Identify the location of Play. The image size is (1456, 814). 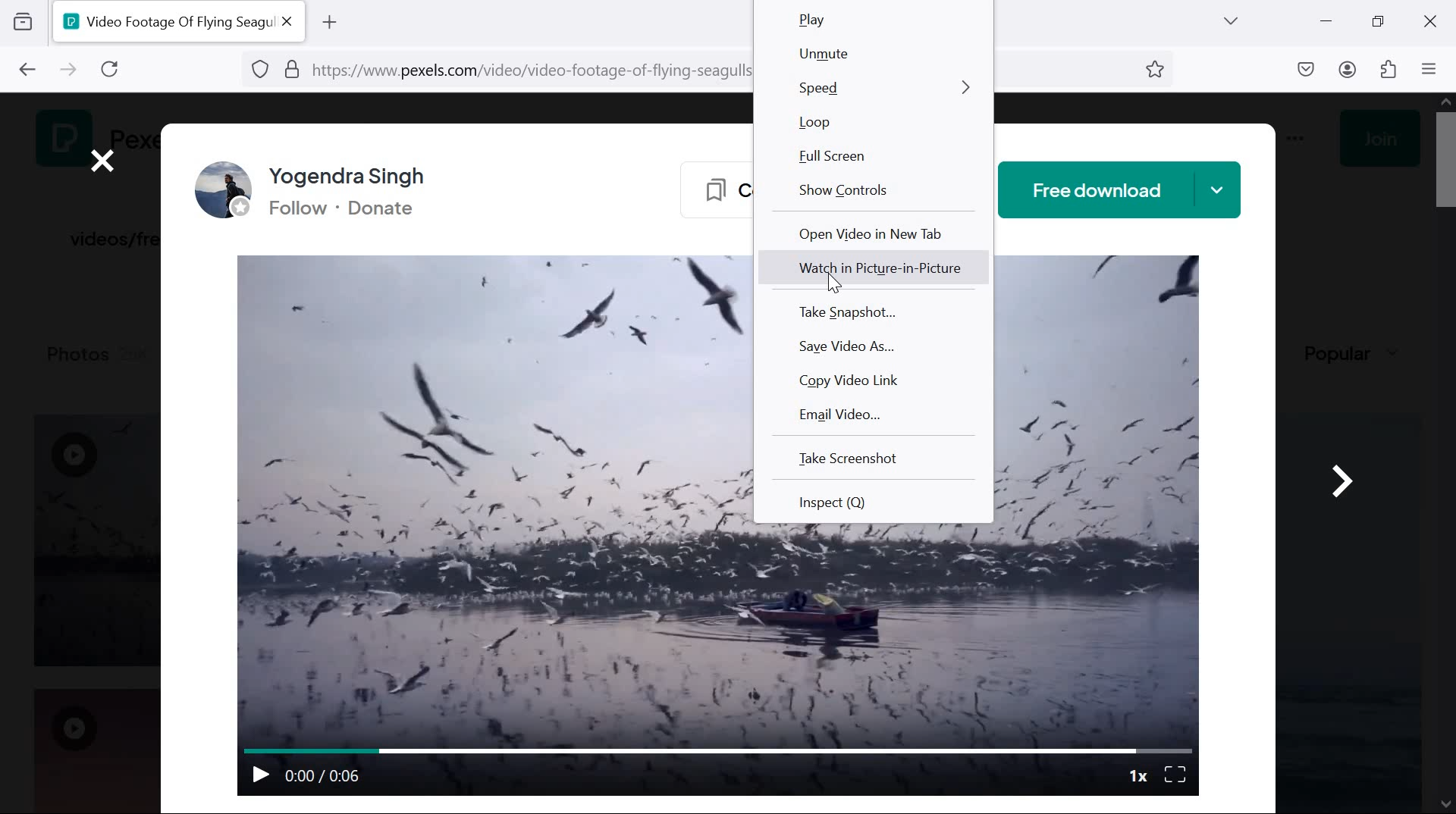
(870, 21).